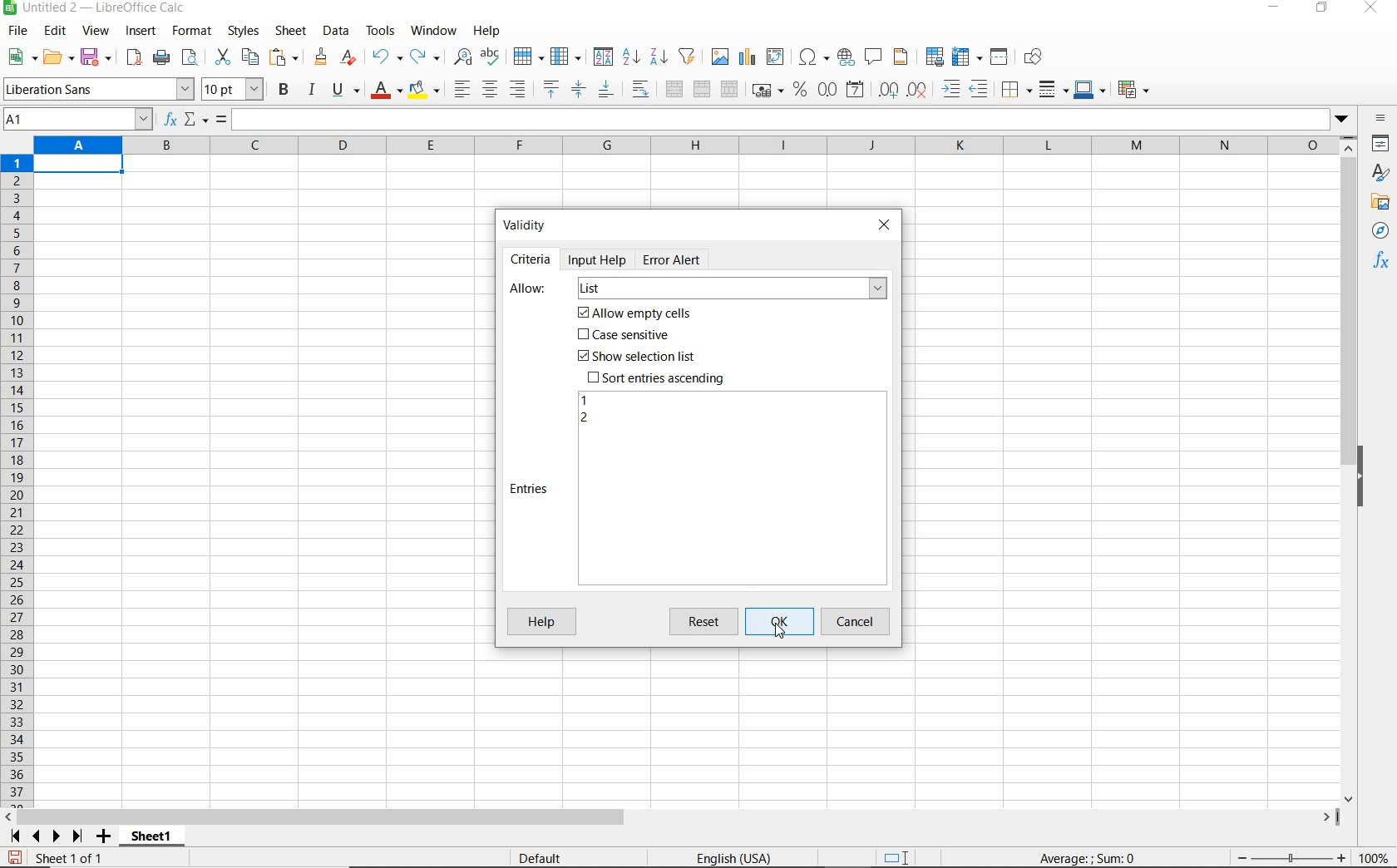 This screenshot has height=868, width=1397. I want to click on Sort entries ascending, so click(657, 377).